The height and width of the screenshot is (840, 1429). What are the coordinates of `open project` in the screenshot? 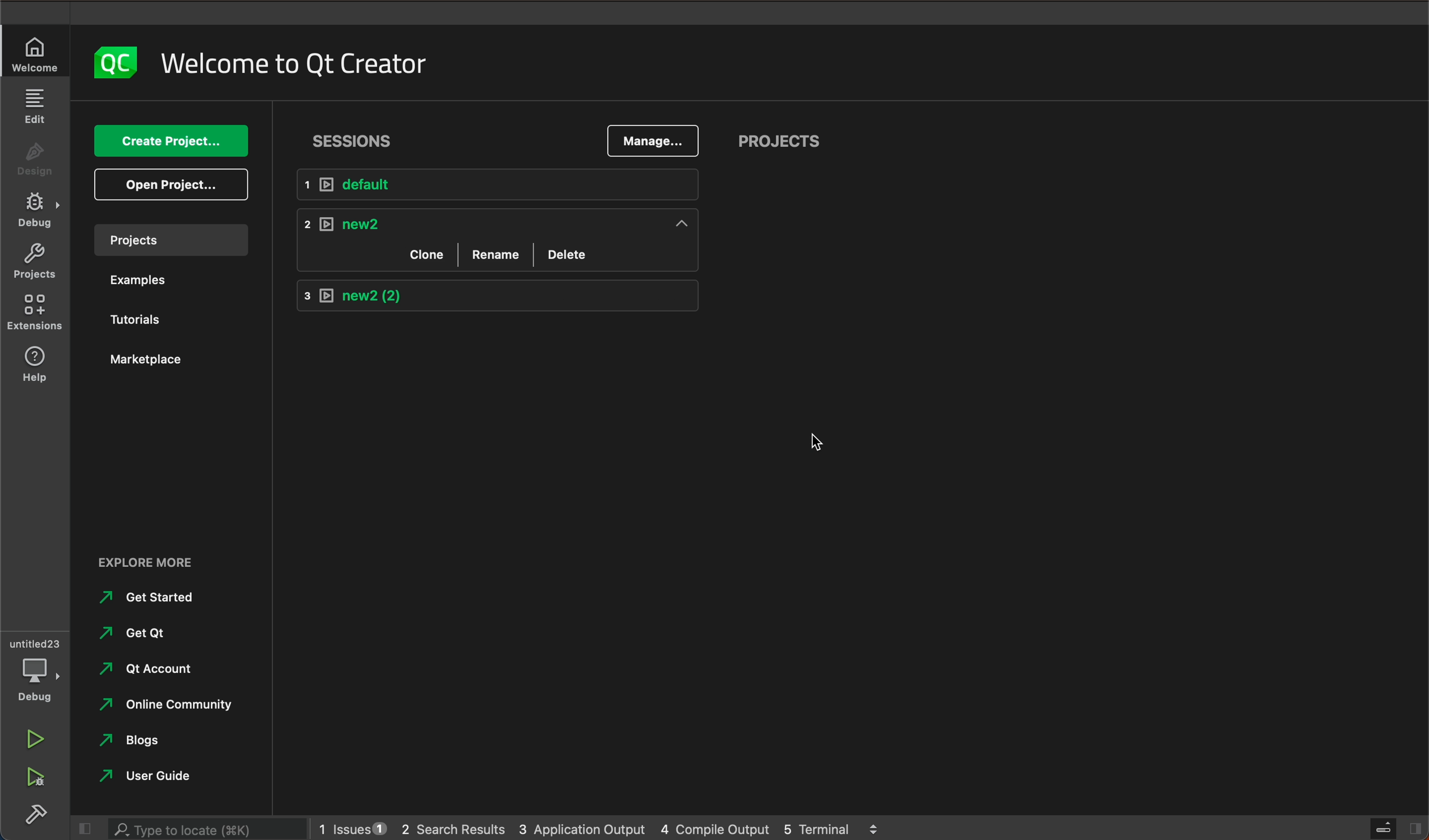 It's located at (170, 184).